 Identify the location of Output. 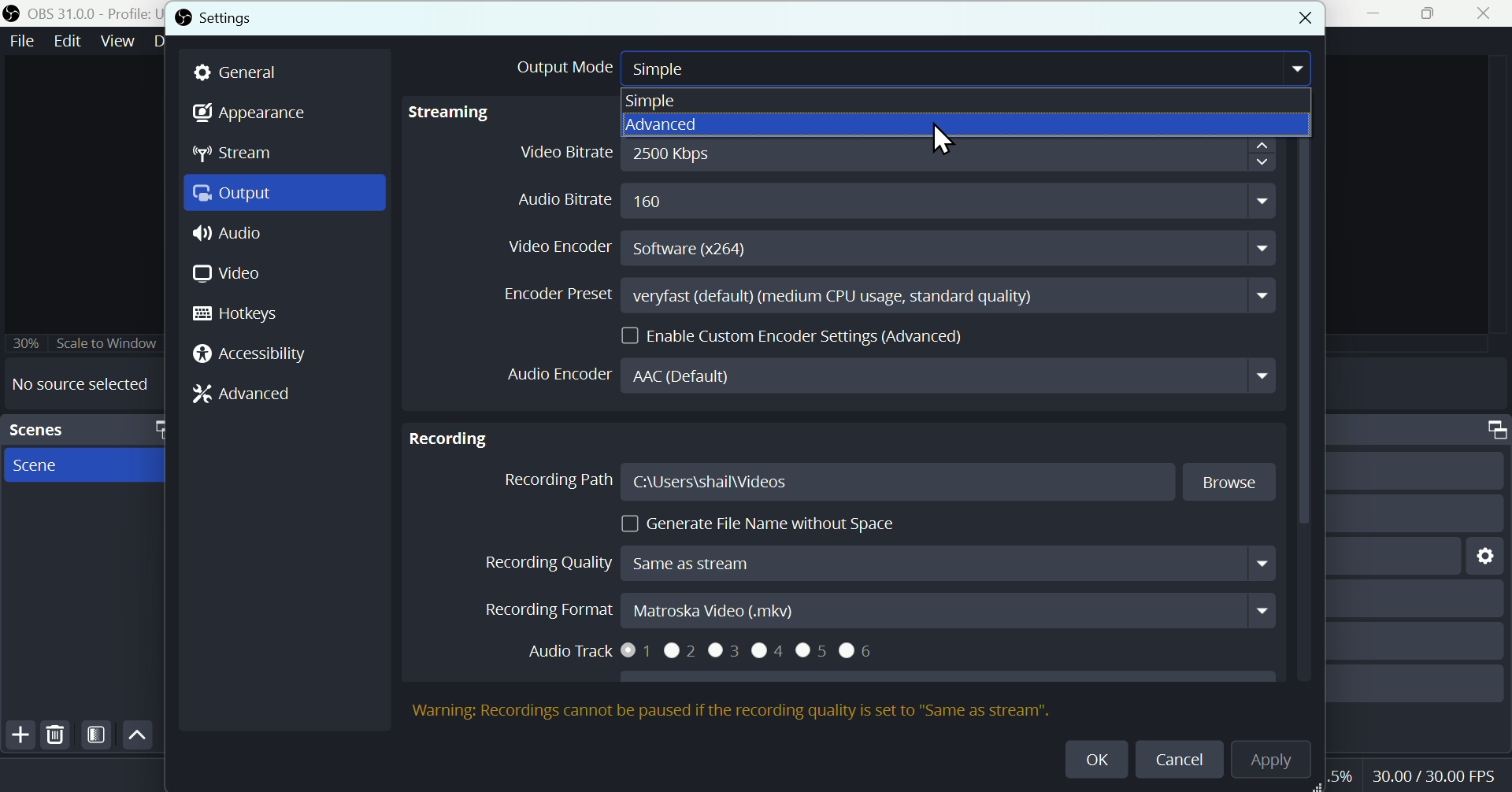
(286, 194).